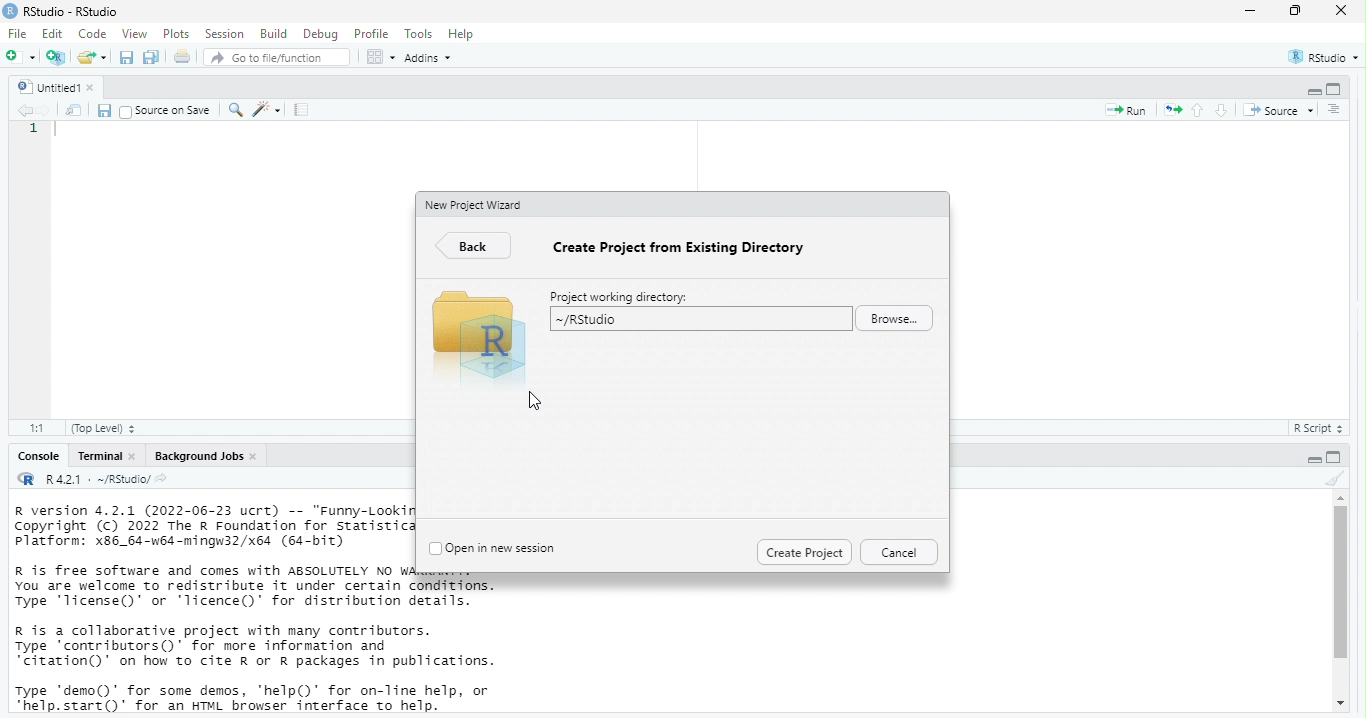 This screenshot has height=718, width=1366. I want to click on close, so click(136, 457).